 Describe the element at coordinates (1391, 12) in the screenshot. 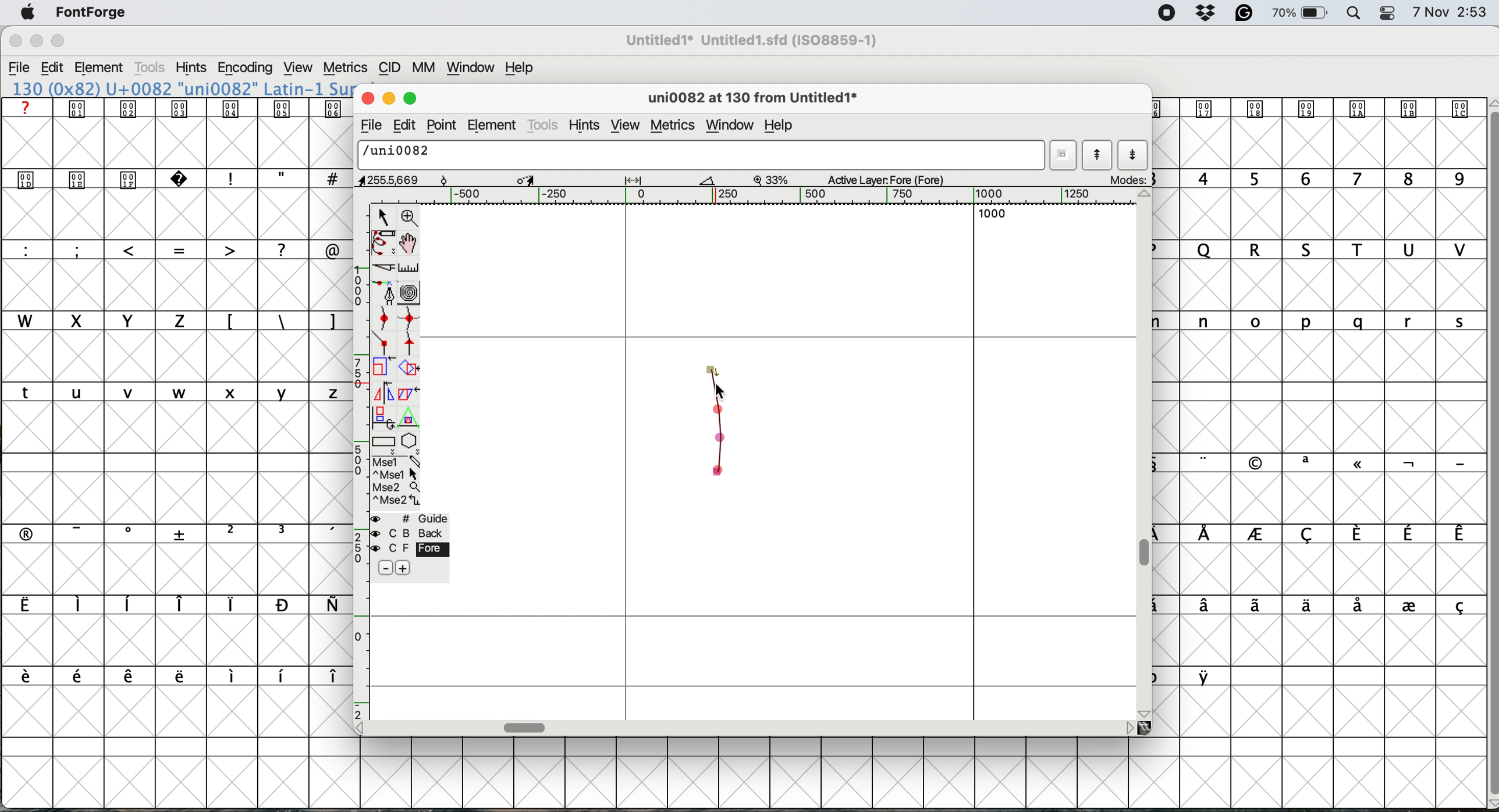

I see `control center` at that location.